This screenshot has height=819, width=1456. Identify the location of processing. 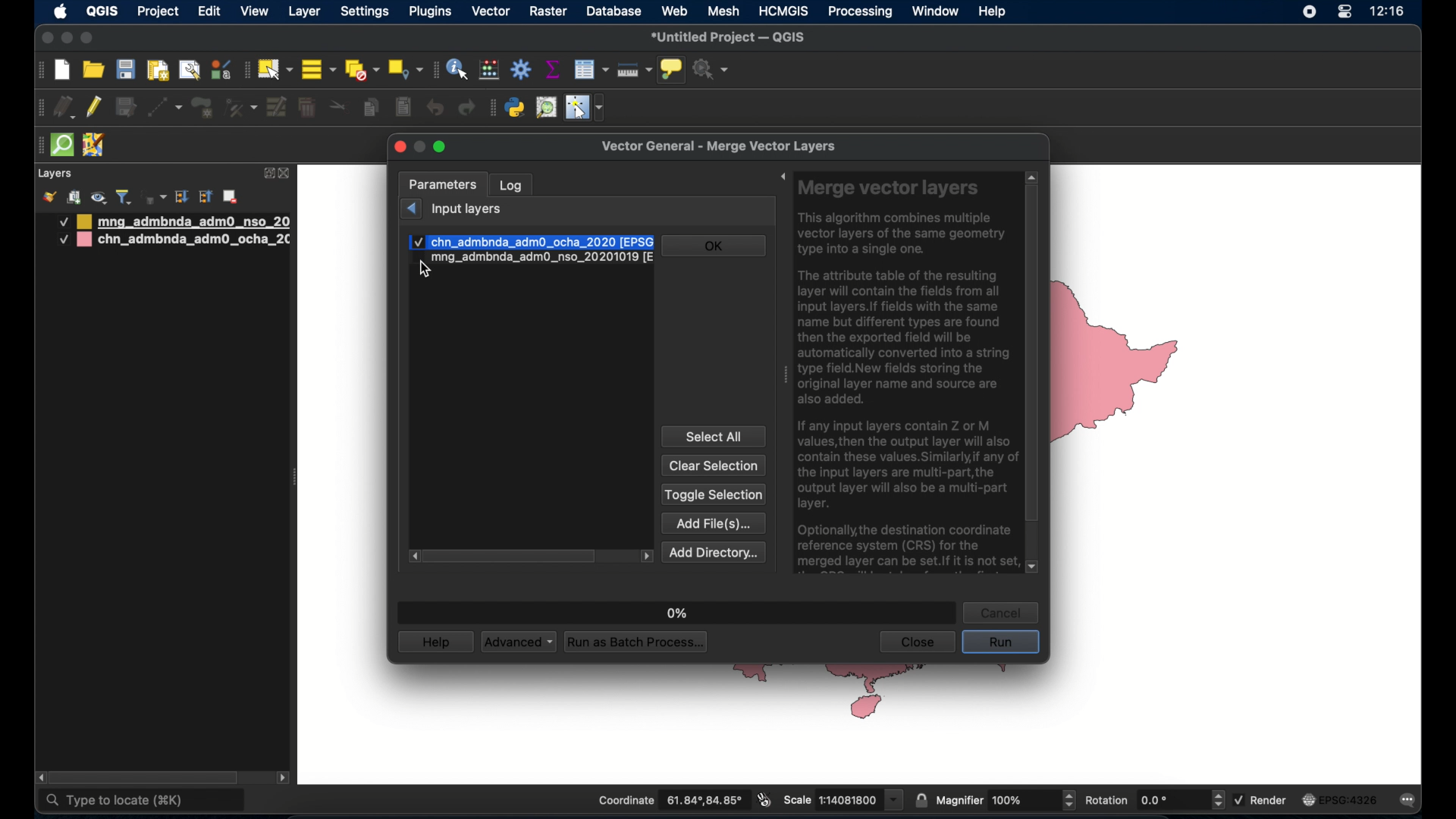
(861, 13).